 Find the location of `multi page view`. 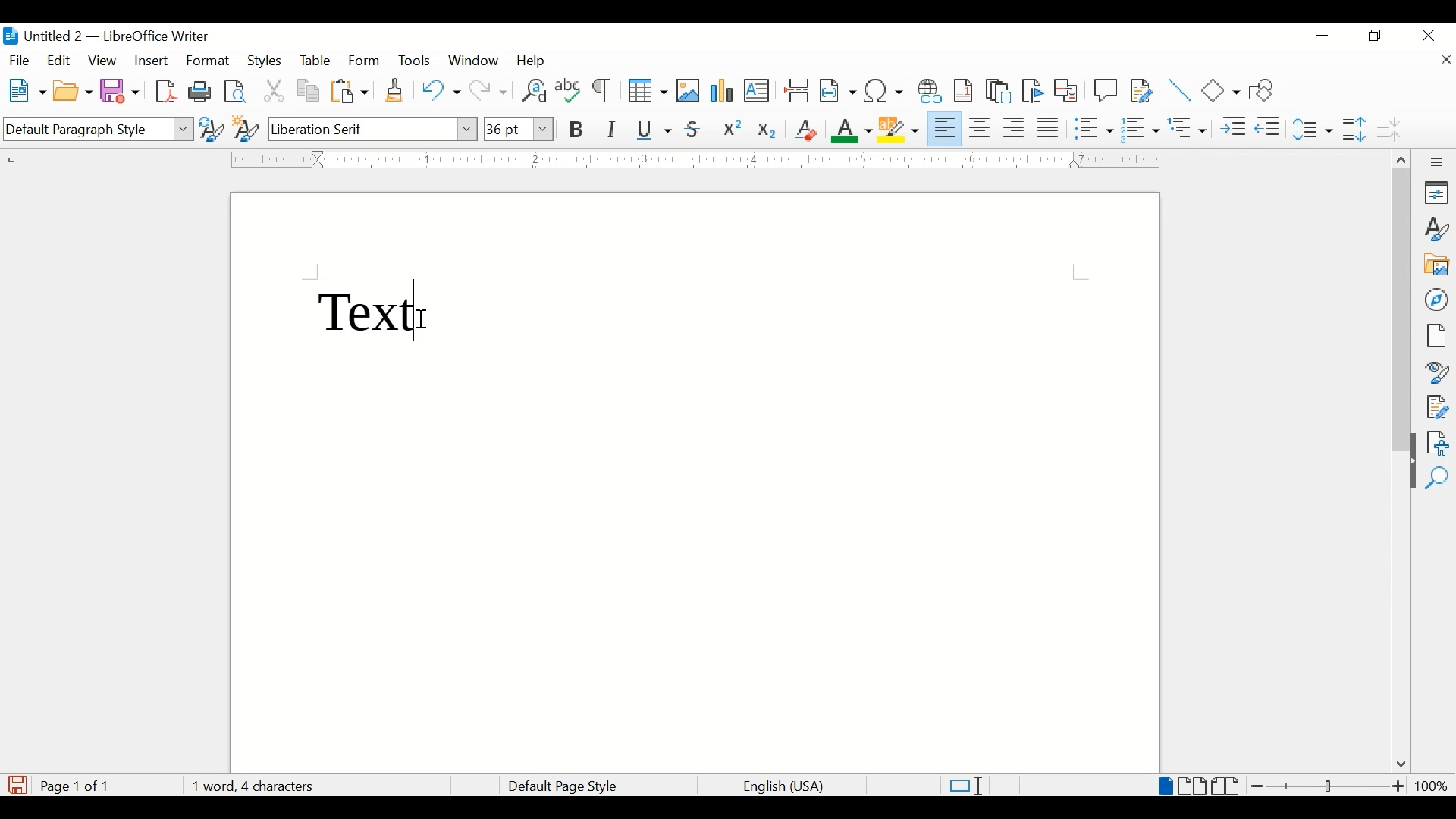

multi page view is located at coordinates (1194, 786).